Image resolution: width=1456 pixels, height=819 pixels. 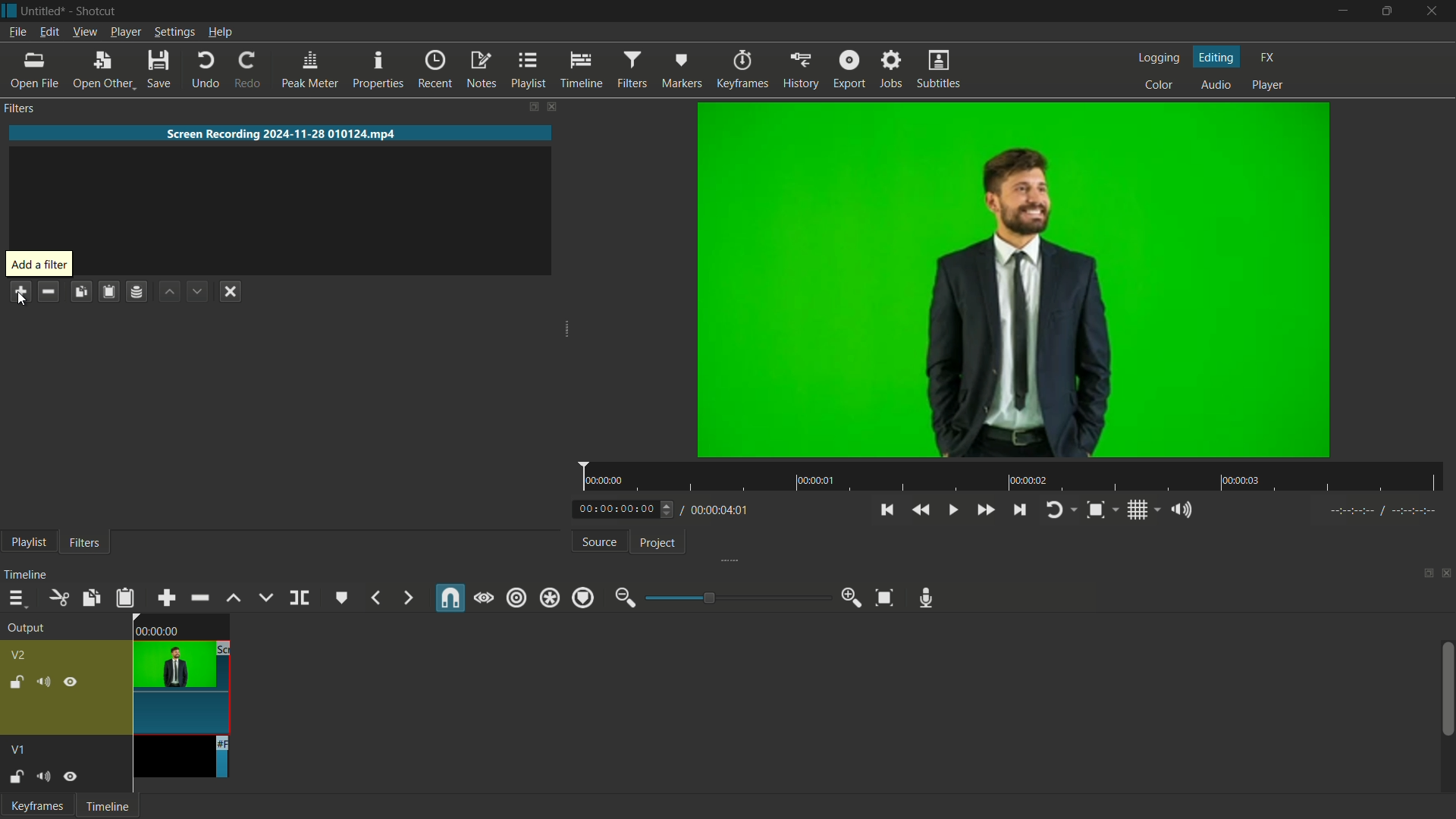 I want to click on create or edit marker, so click(x=340, y=599).